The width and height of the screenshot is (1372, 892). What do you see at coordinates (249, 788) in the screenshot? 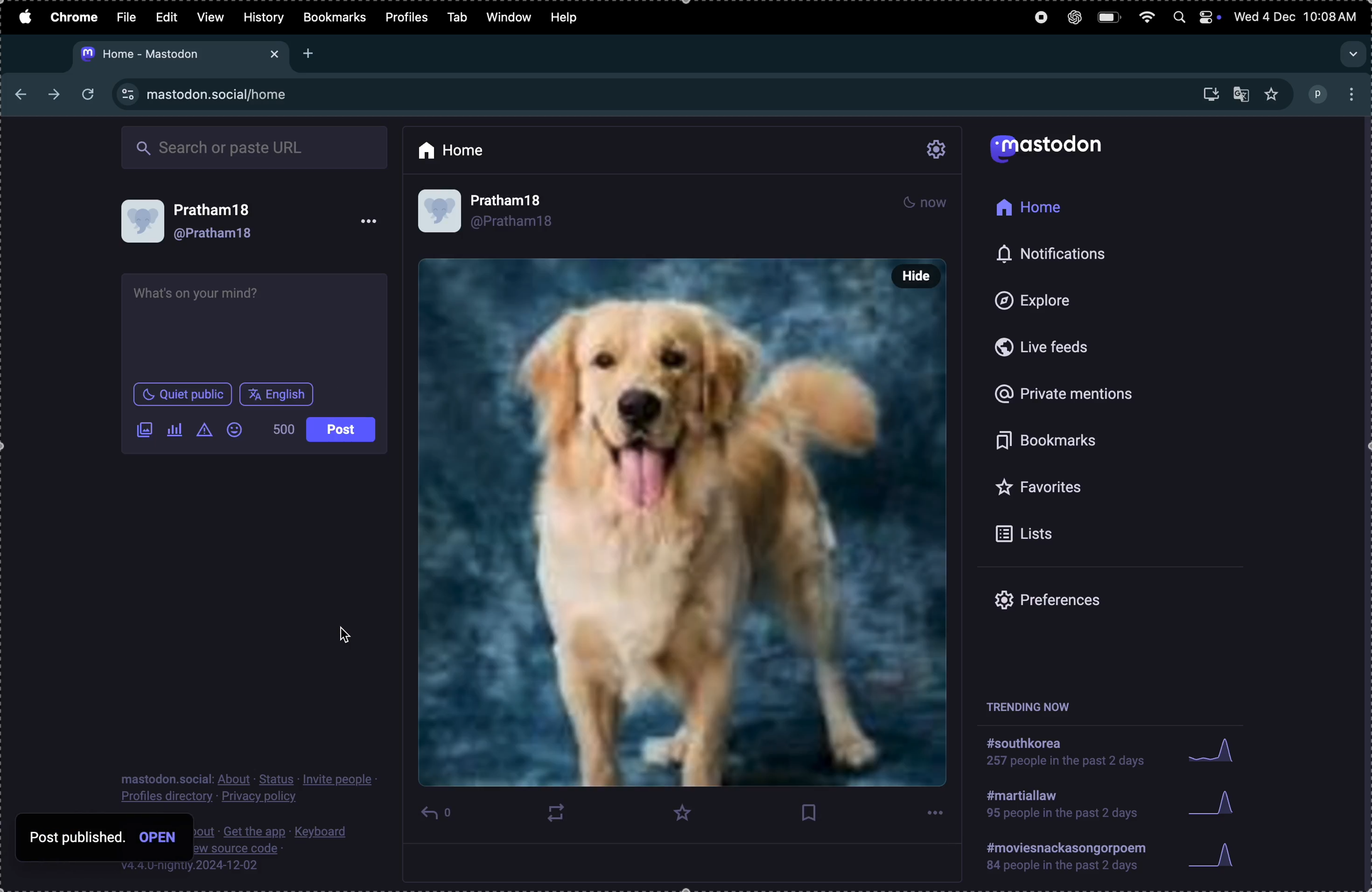
I see `Privacy policy` at bounding box center [249, 788].